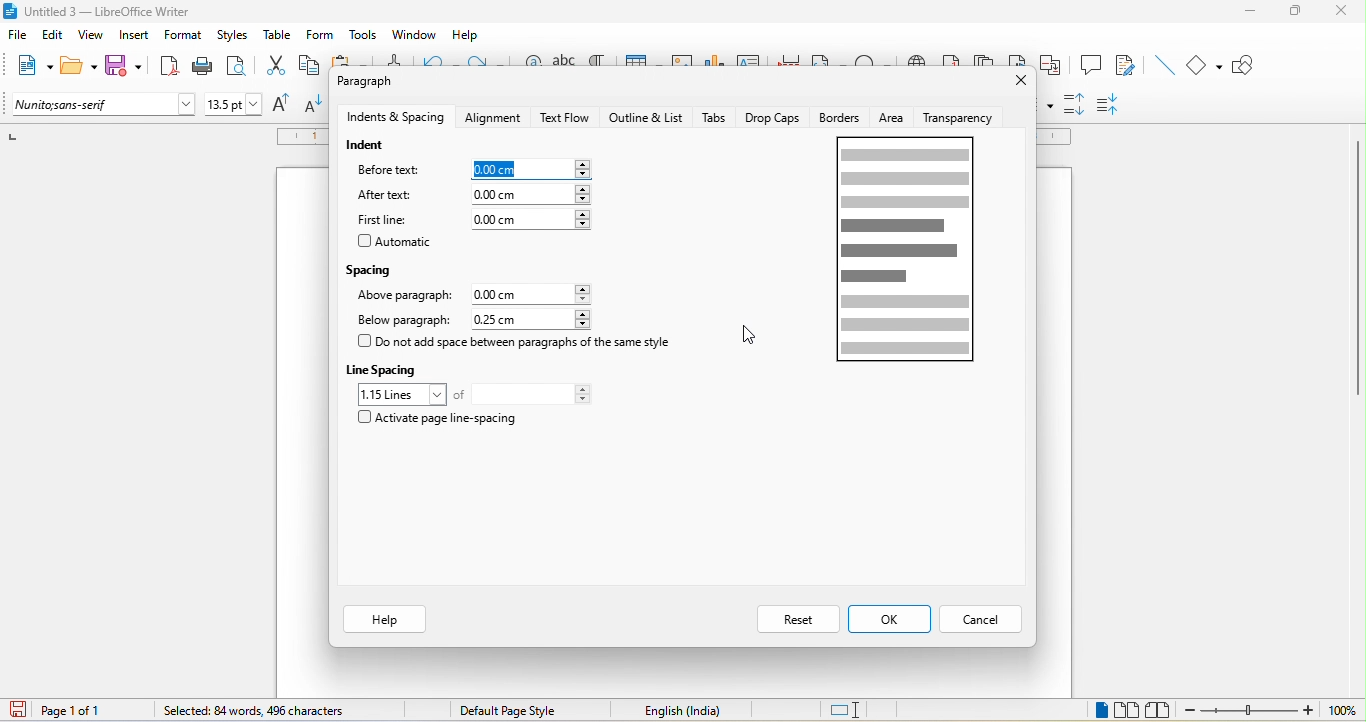 The height and width of the screenshot is (722, 1366). I want to click on tools, so click(362, 36).